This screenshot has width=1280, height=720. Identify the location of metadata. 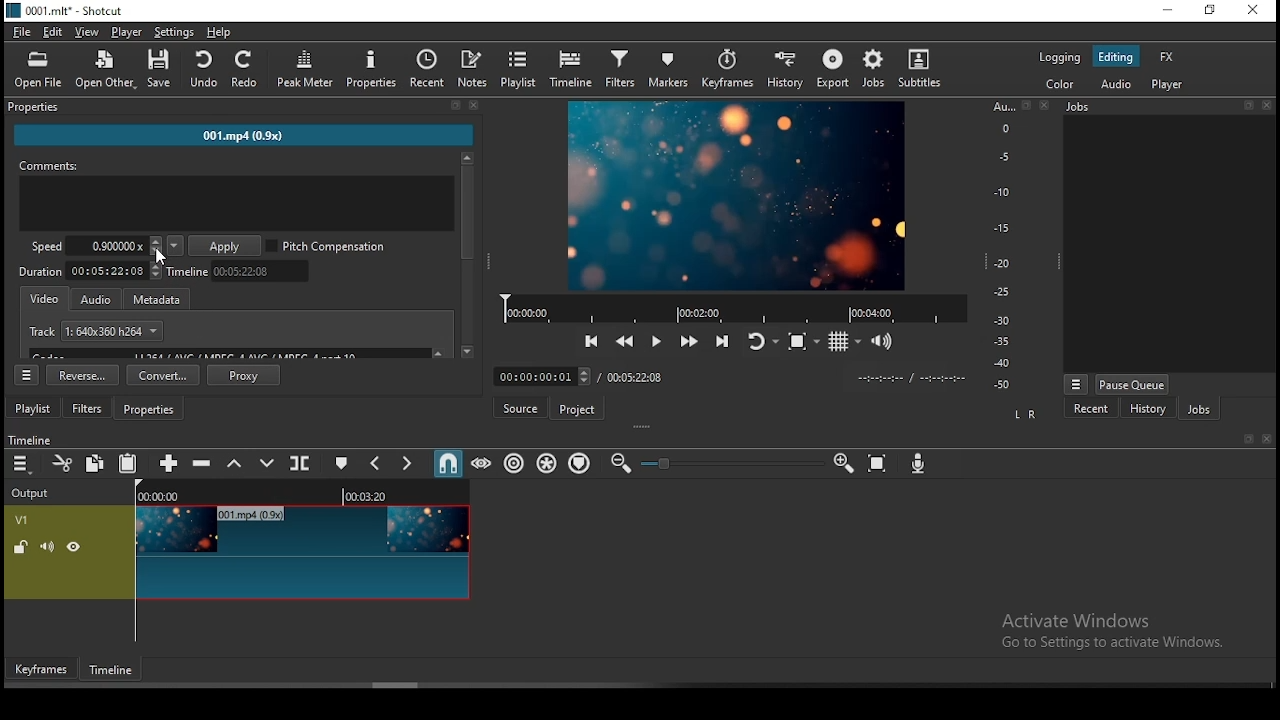
(162, 298).